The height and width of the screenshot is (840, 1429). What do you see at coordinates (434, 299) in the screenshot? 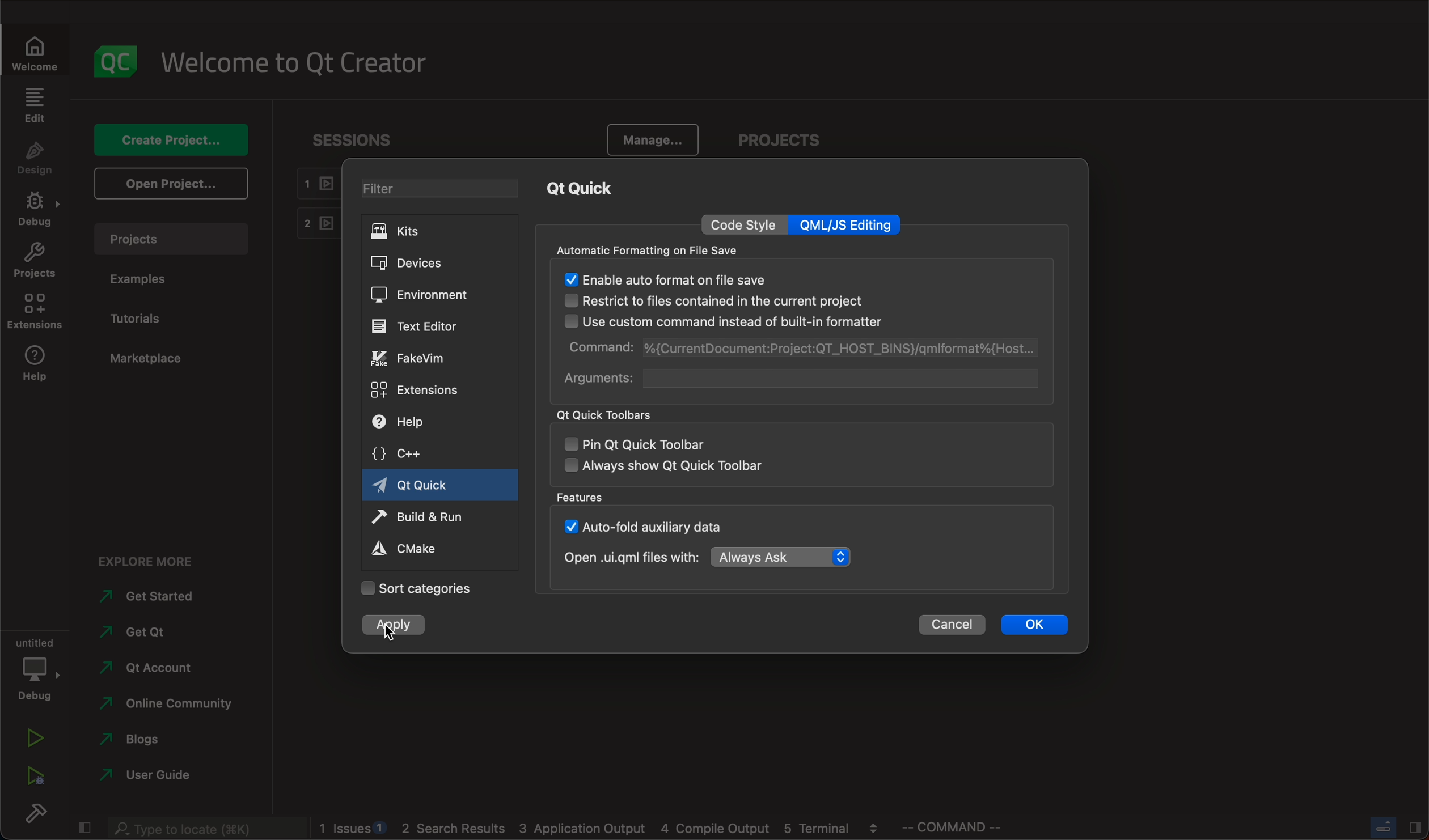
I see `environment` at bounding box center [434, 299].